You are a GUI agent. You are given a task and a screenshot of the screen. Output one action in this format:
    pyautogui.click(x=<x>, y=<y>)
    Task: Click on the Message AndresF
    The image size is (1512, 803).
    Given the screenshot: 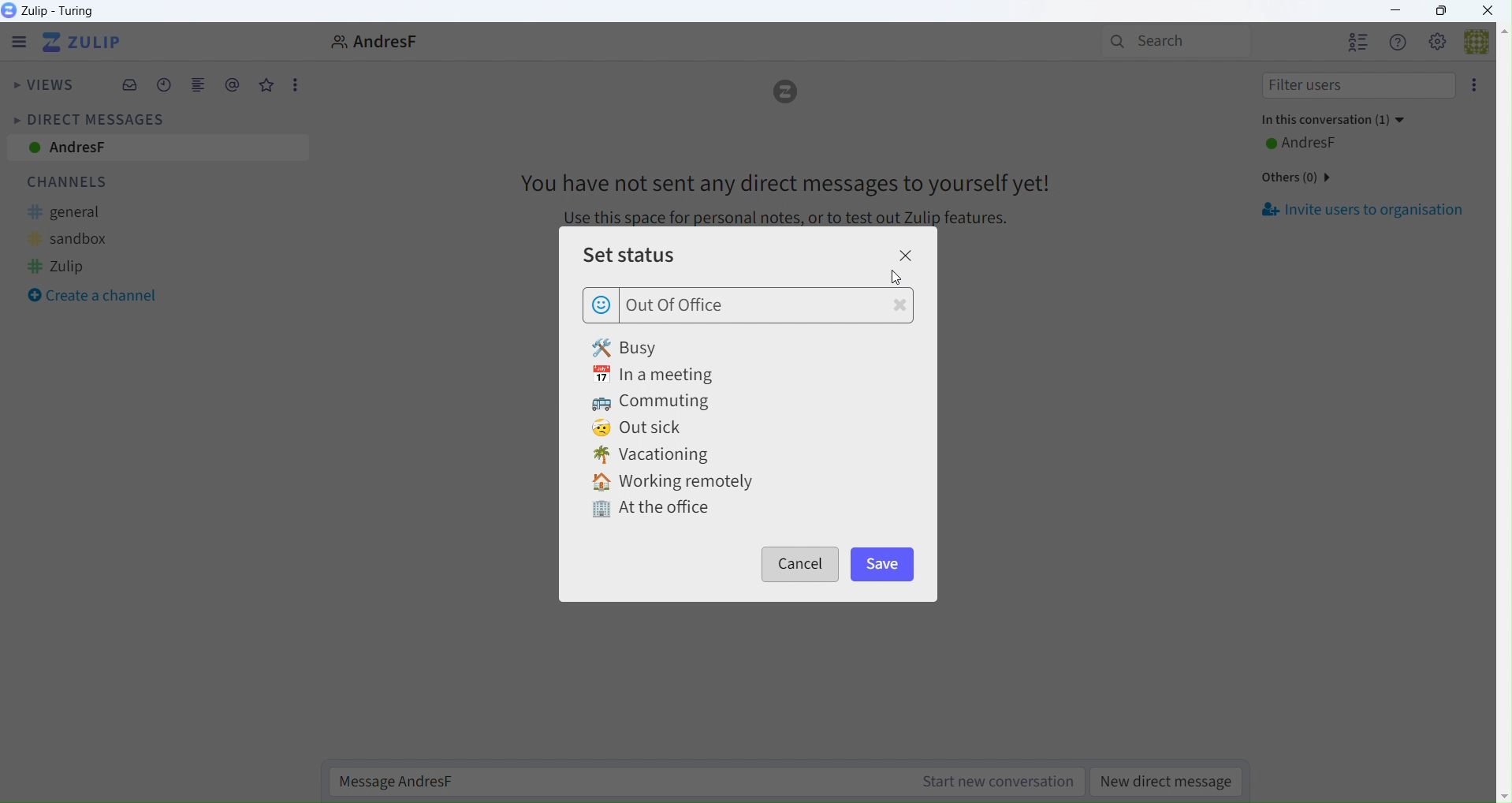 What is the action you would take?
    pyautogui.click(x=709, y=782)
    